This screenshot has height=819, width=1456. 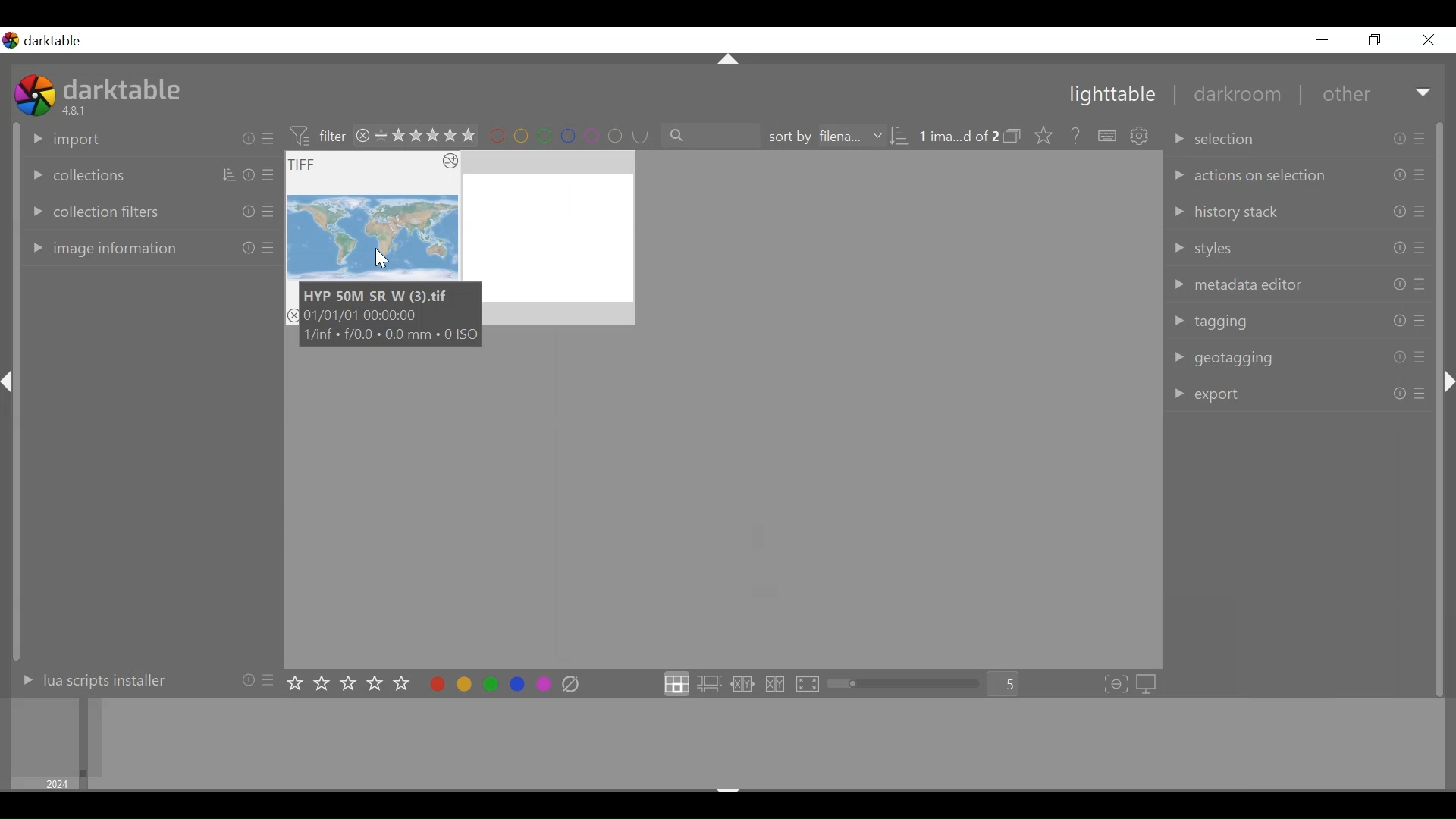 I want to click on darkroom, so click(x=1239, y=92).